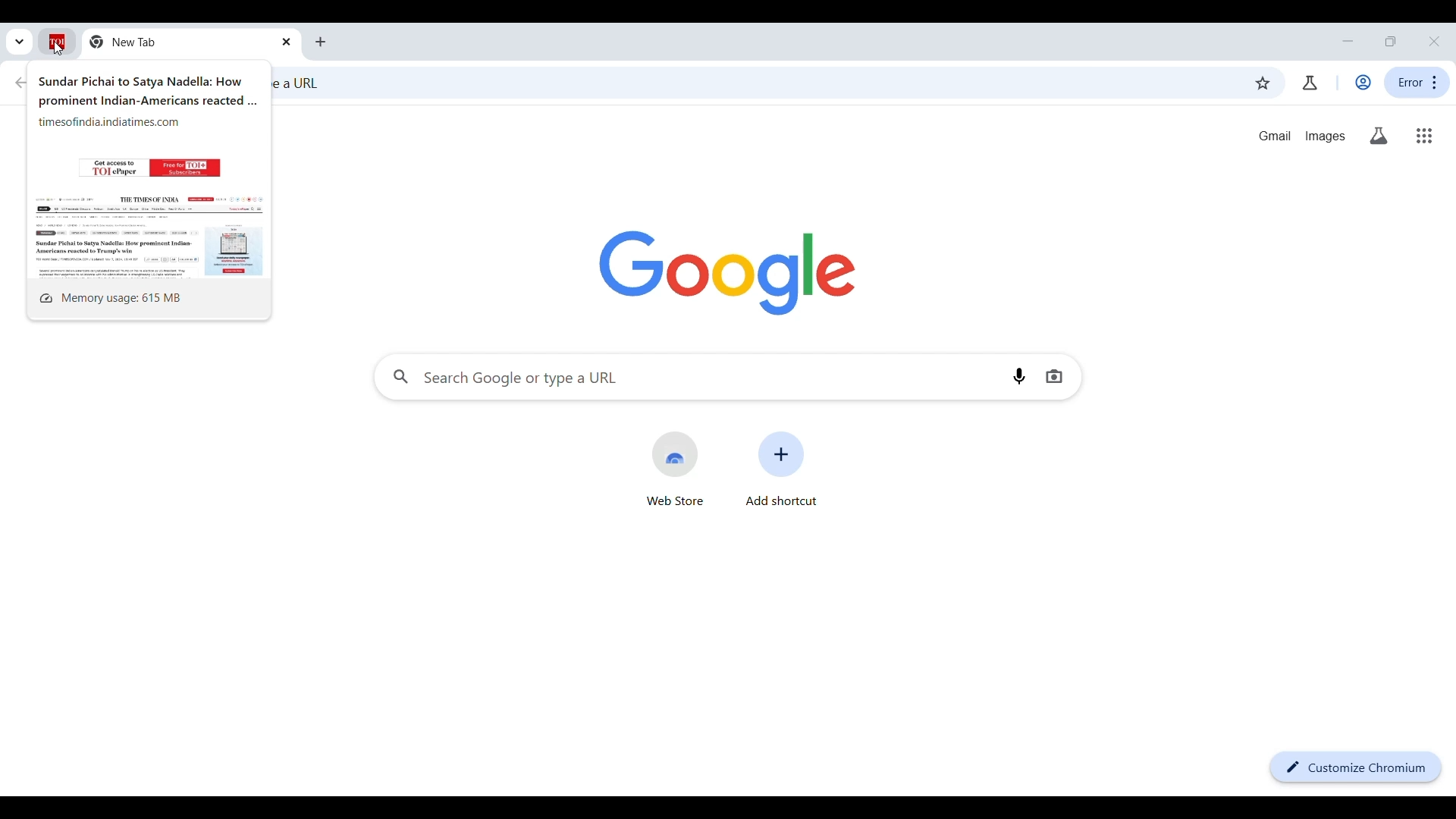 This screenshot has height=819, width=1456. I want to click on Bookmark current tab, so click(1262, 83).